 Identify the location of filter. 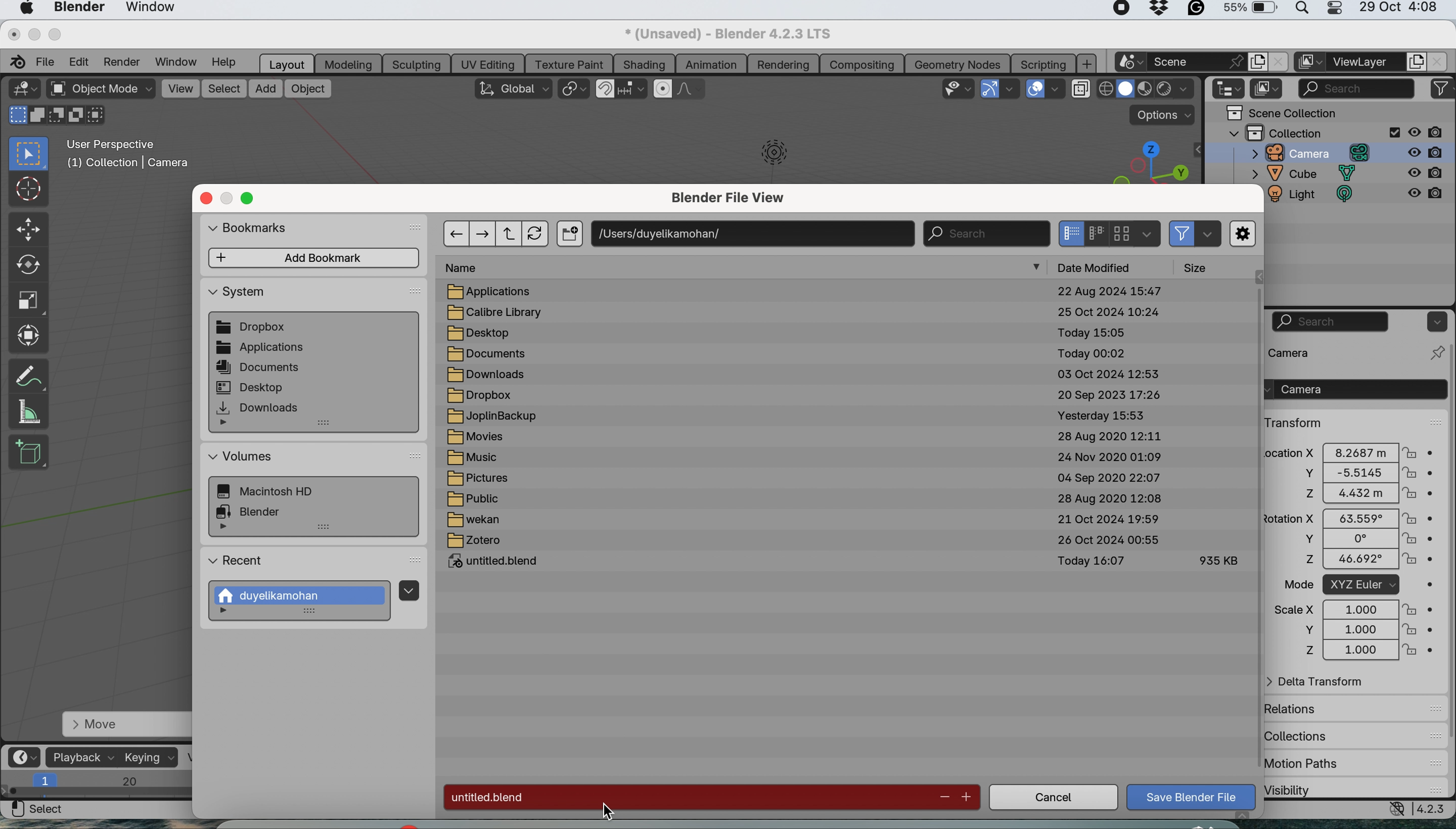
(1183, 233).